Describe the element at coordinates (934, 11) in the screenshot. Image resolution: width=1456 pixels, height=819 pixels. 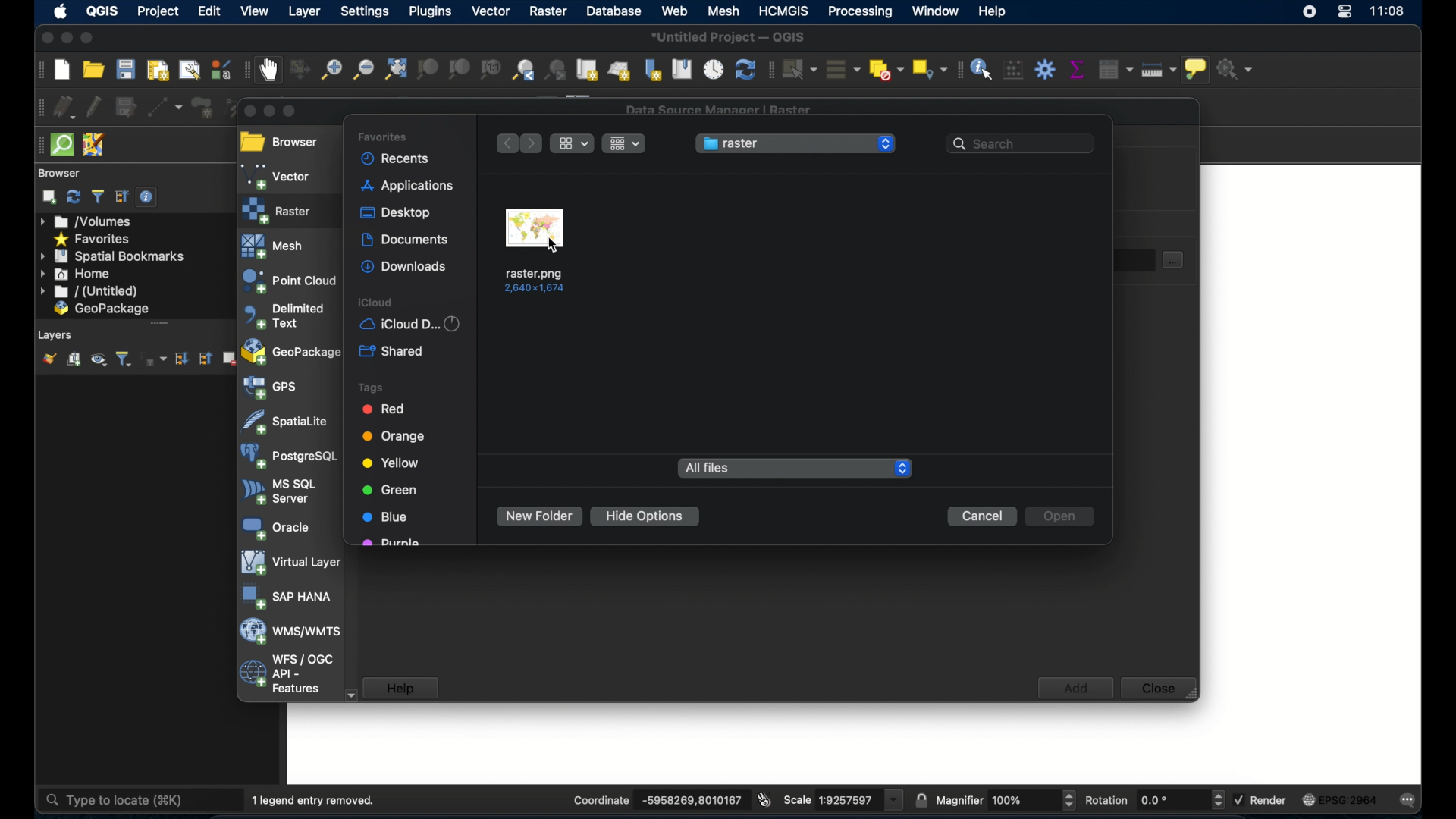
I see `window` at that location.